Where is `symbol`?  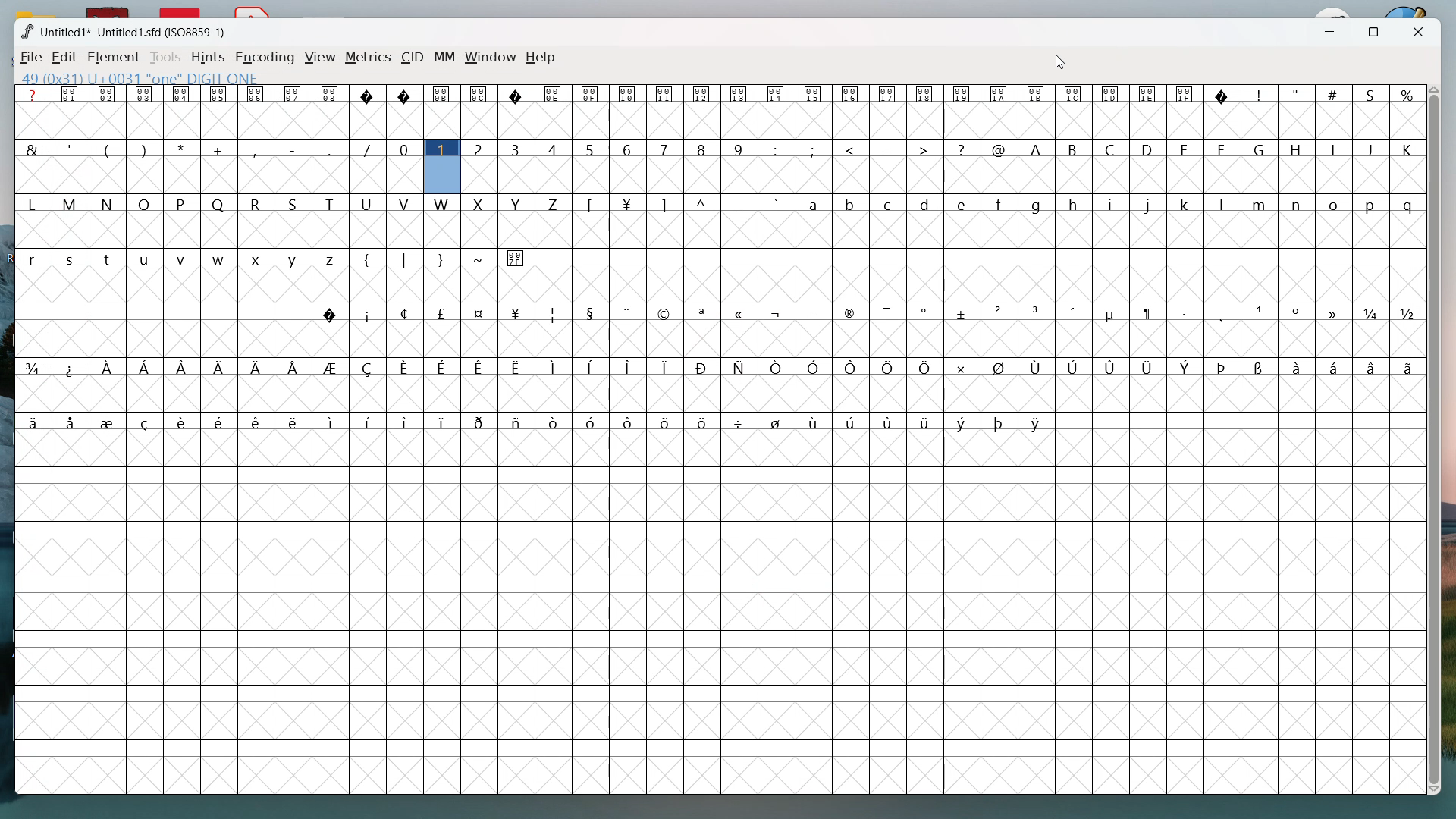
symbol is located at coordinates (555, 94).